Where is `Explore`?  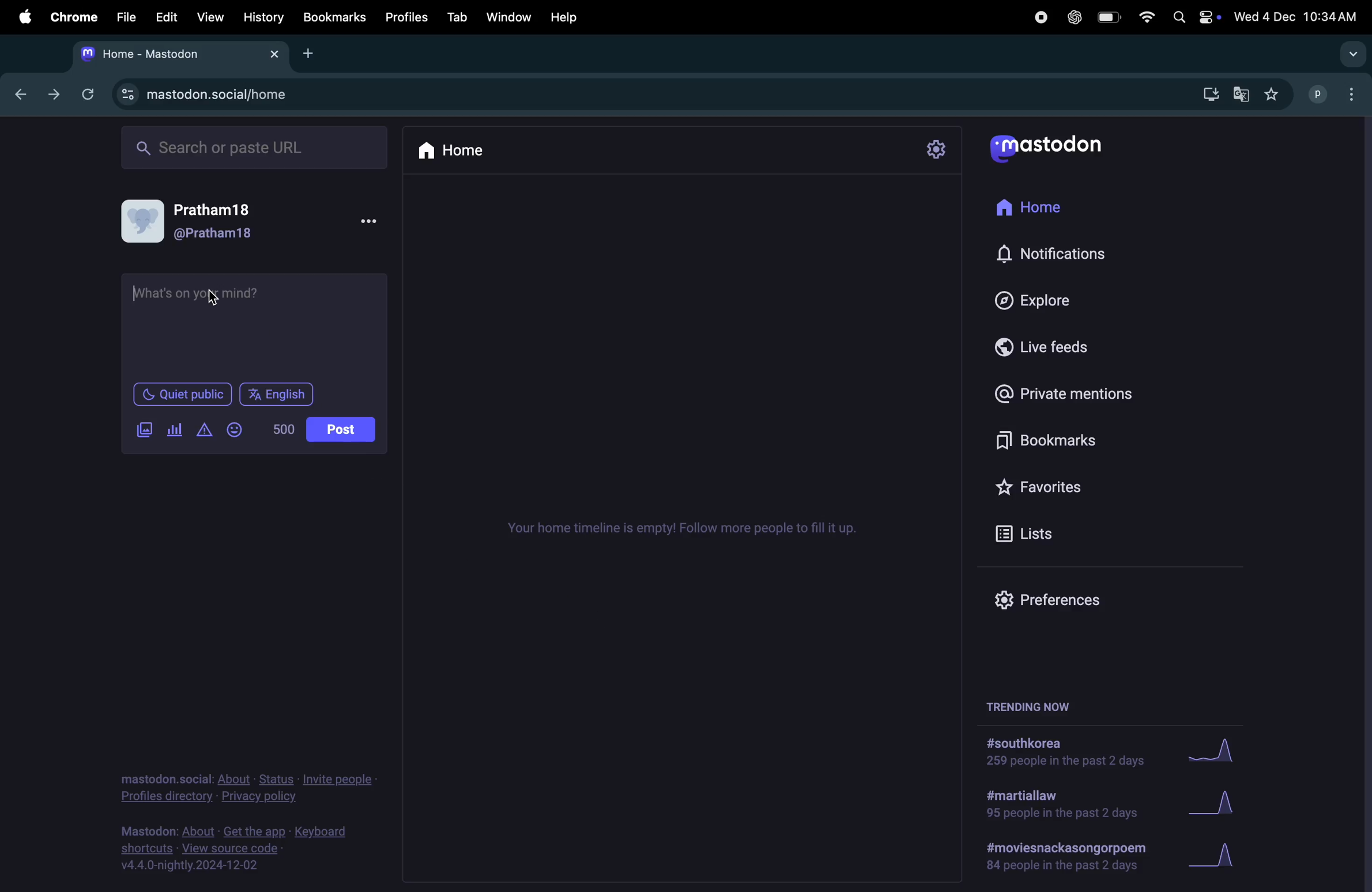
Explore is located at coordinates (1030, 298).